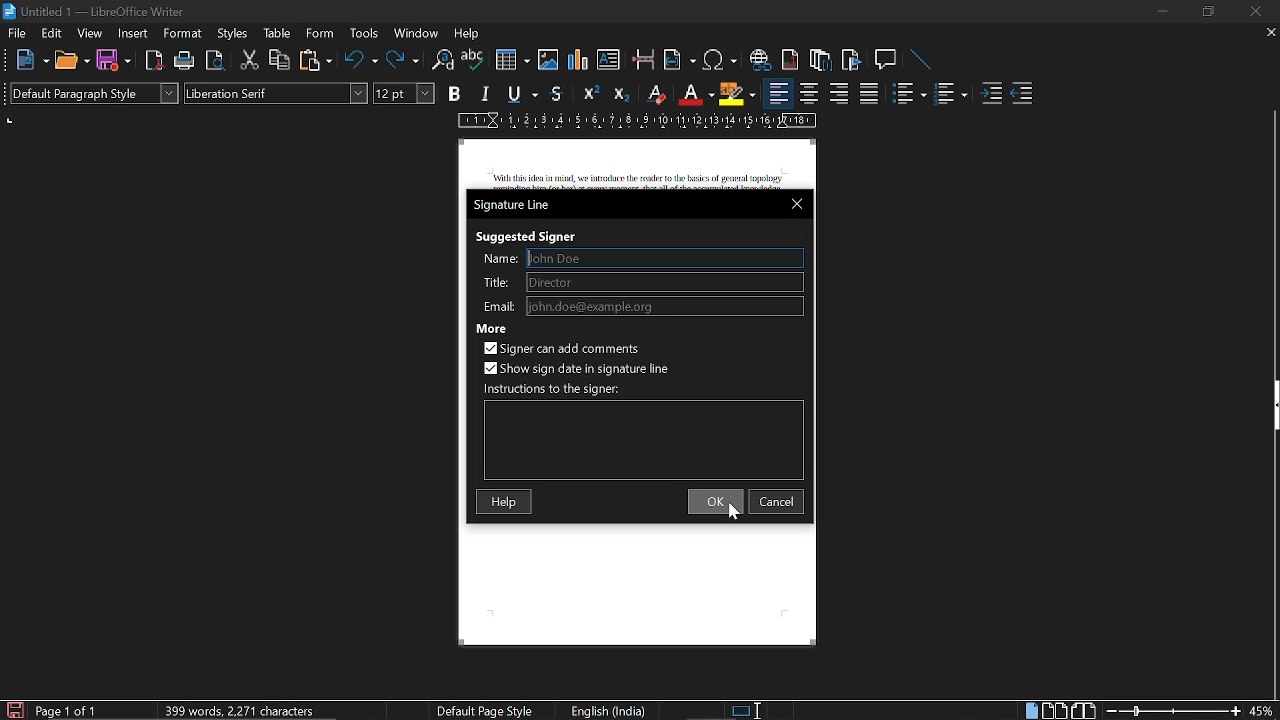  I want to click on file, so click(16, 33).